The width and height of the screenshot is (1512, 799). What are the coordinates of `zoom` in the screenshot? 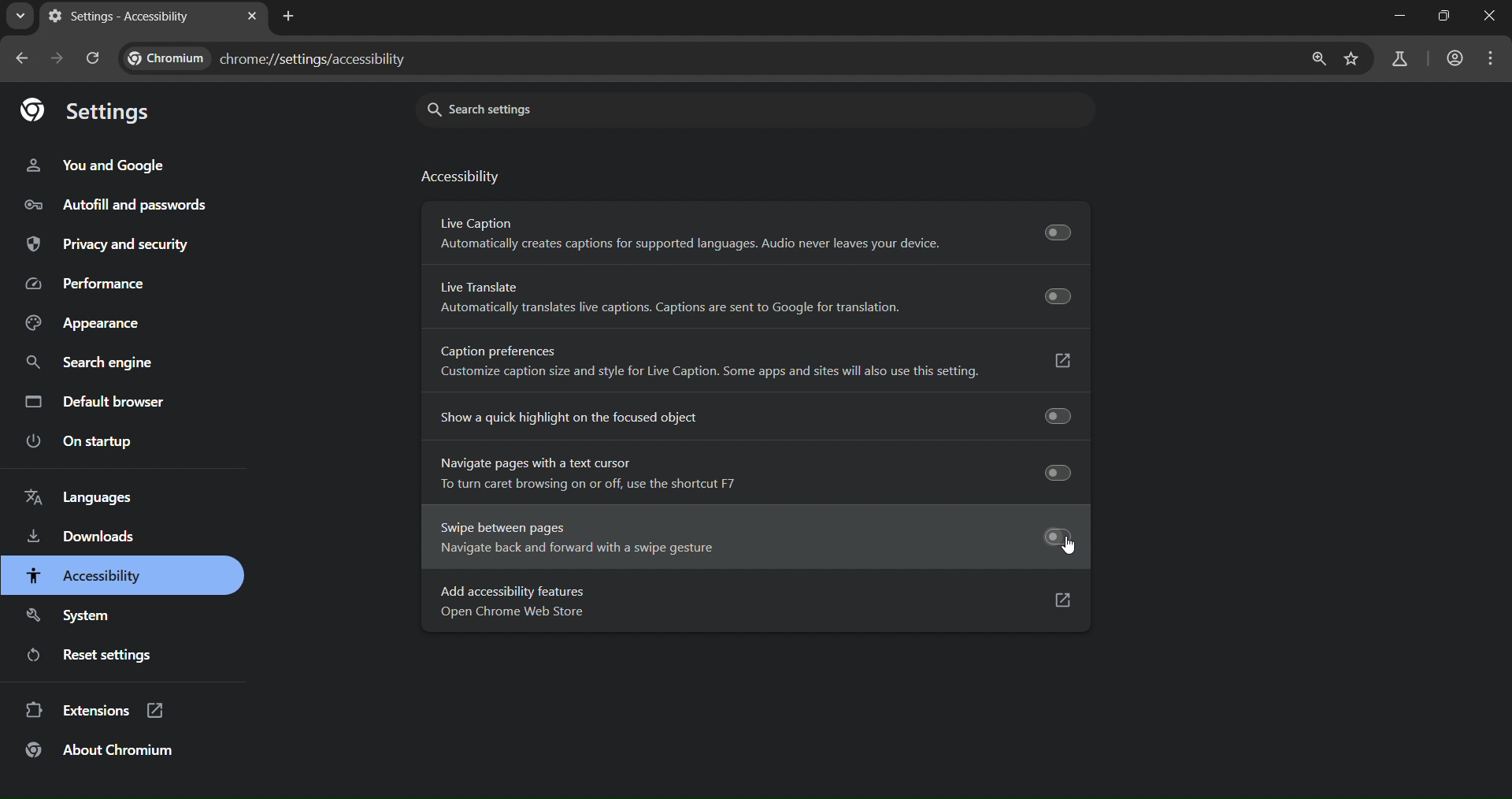 It's located at (1317, 60).